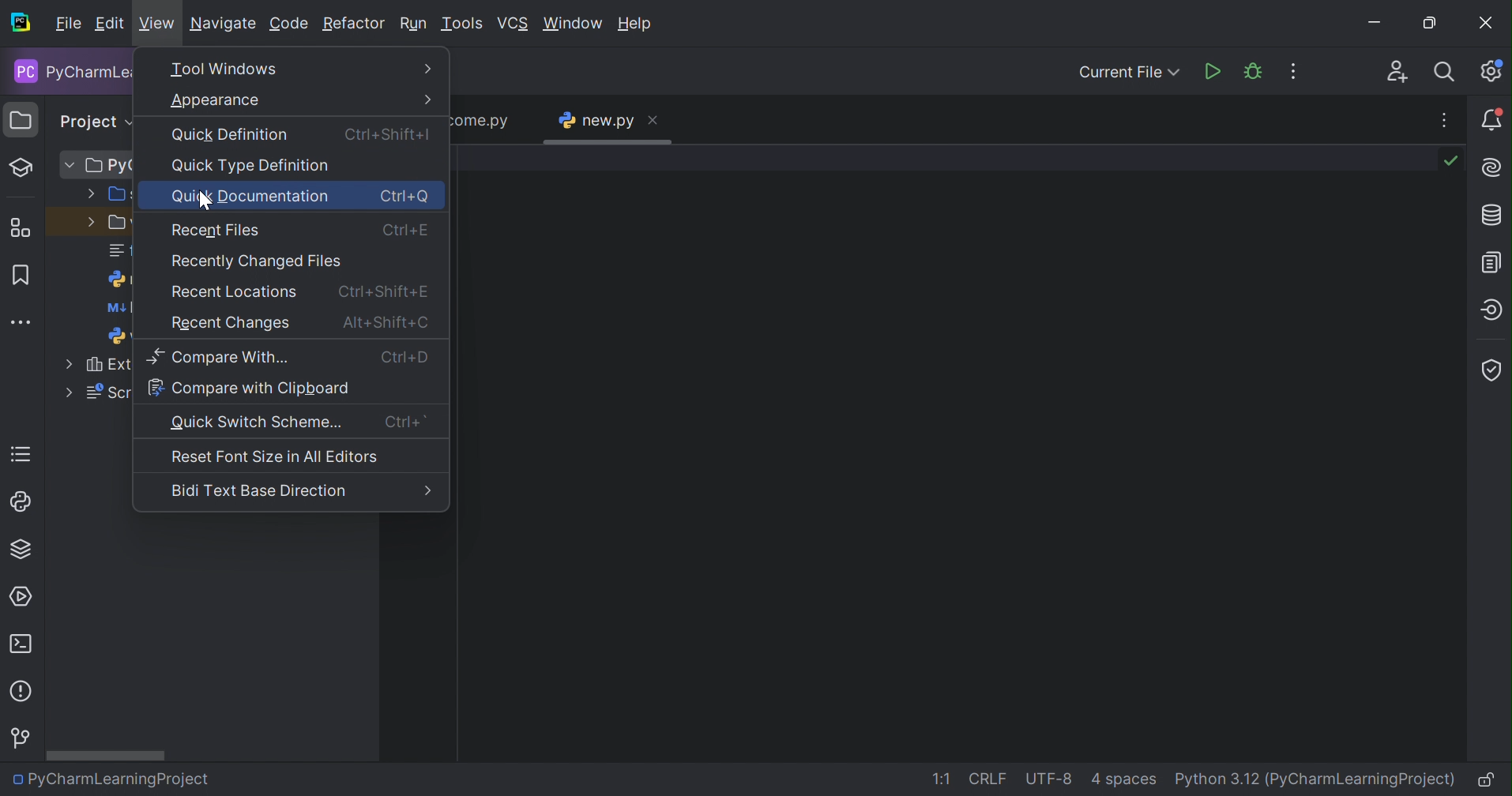 The width and height of the screenshot is (1512, 796). Describe the element at coordinates (303, 69) in the screenshot. I see `Tool Windows` at that location.